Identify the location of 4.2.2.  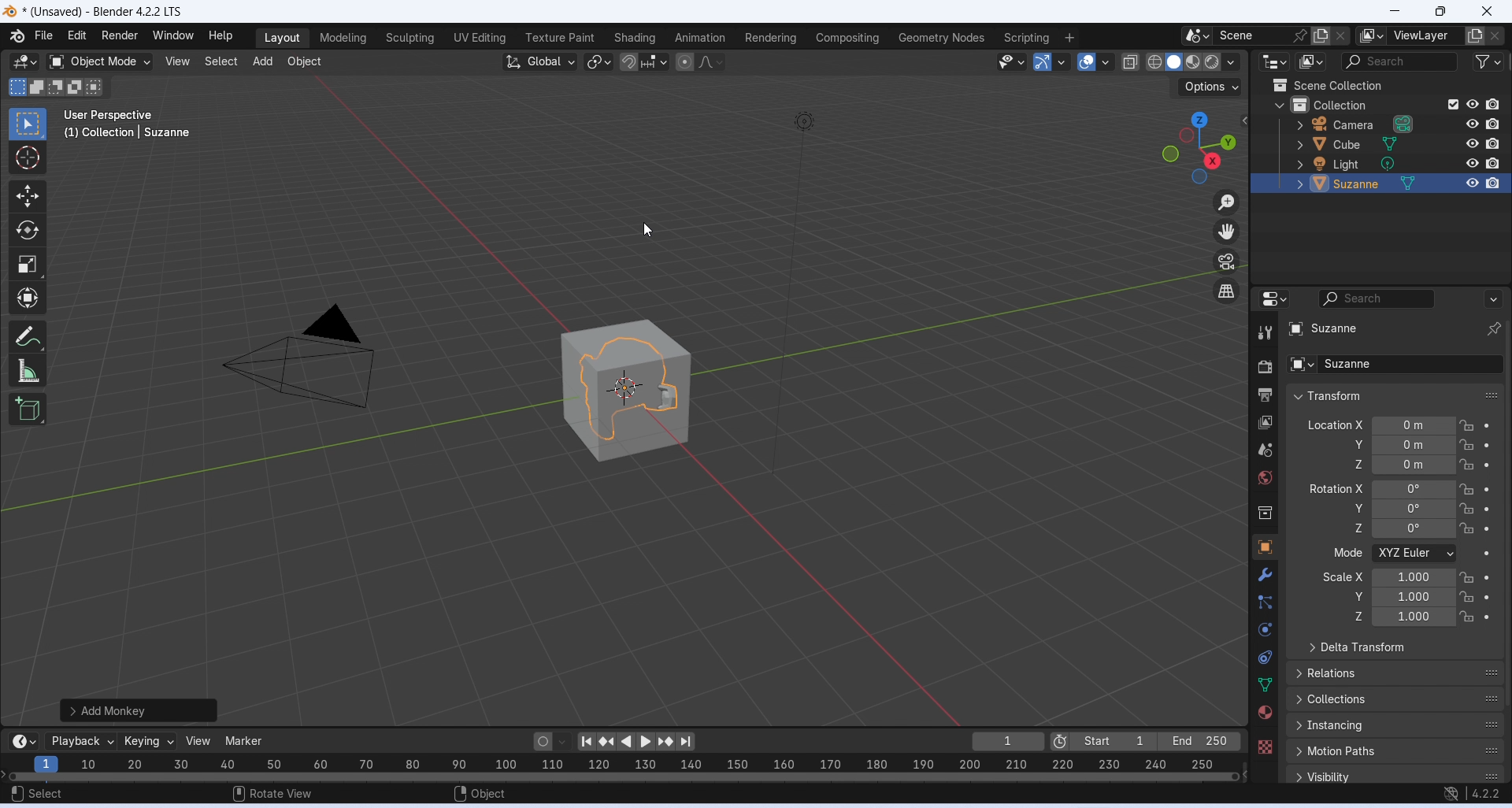
(1487, 793).